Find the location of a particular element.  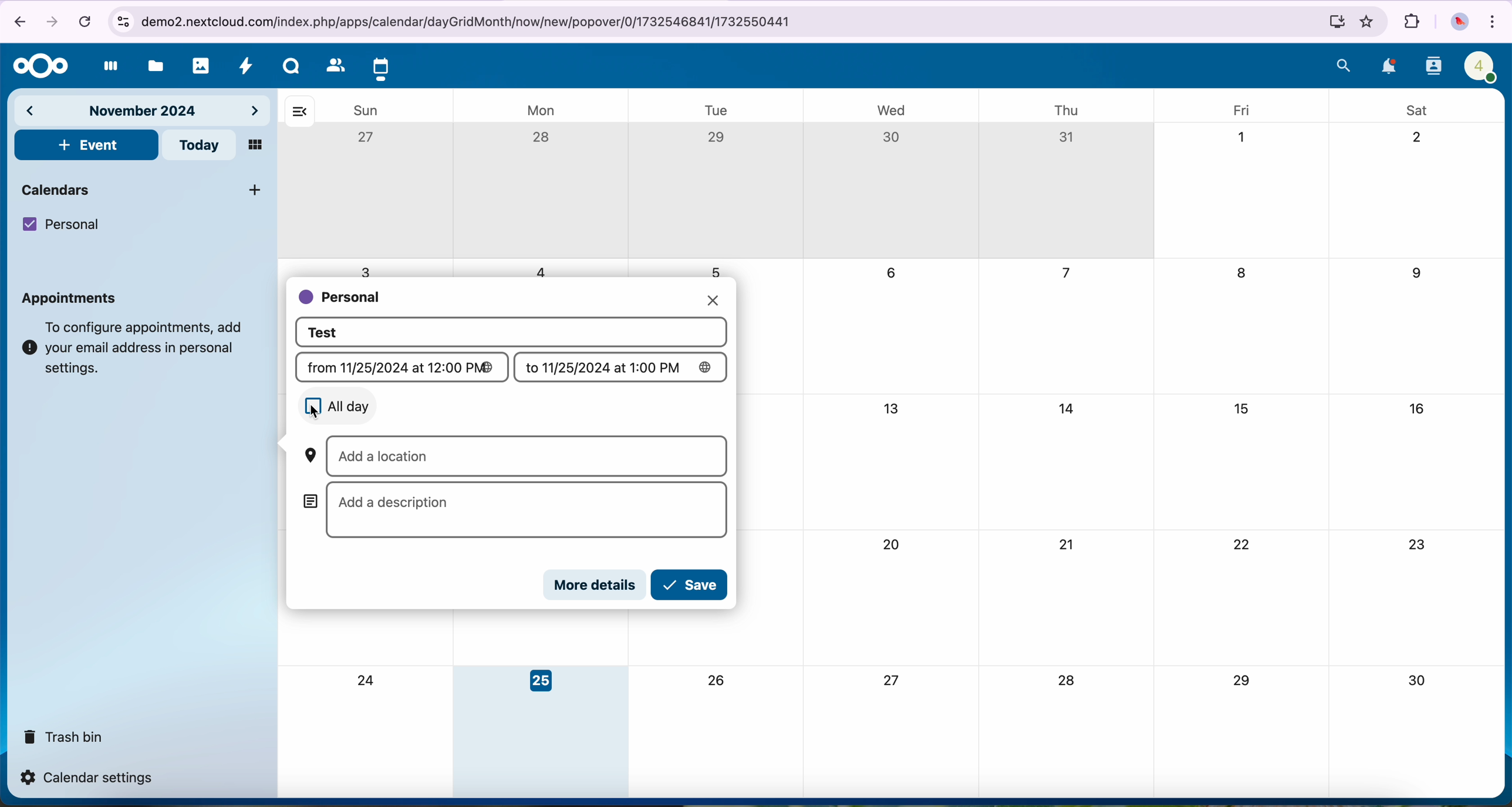

28 is located at coordinates (544, 139).